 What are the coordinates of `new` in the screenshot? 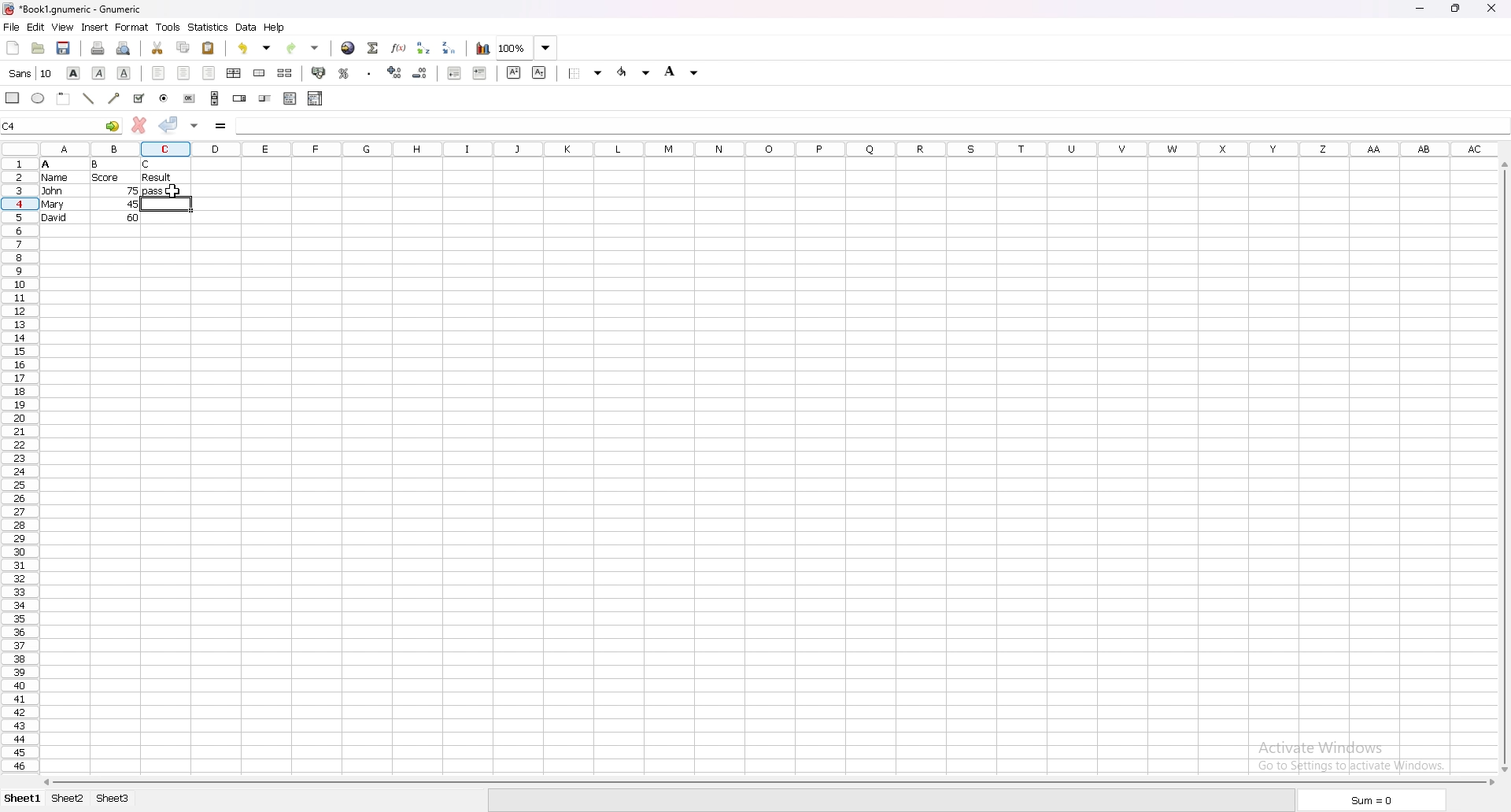 It's located at (13, 48).